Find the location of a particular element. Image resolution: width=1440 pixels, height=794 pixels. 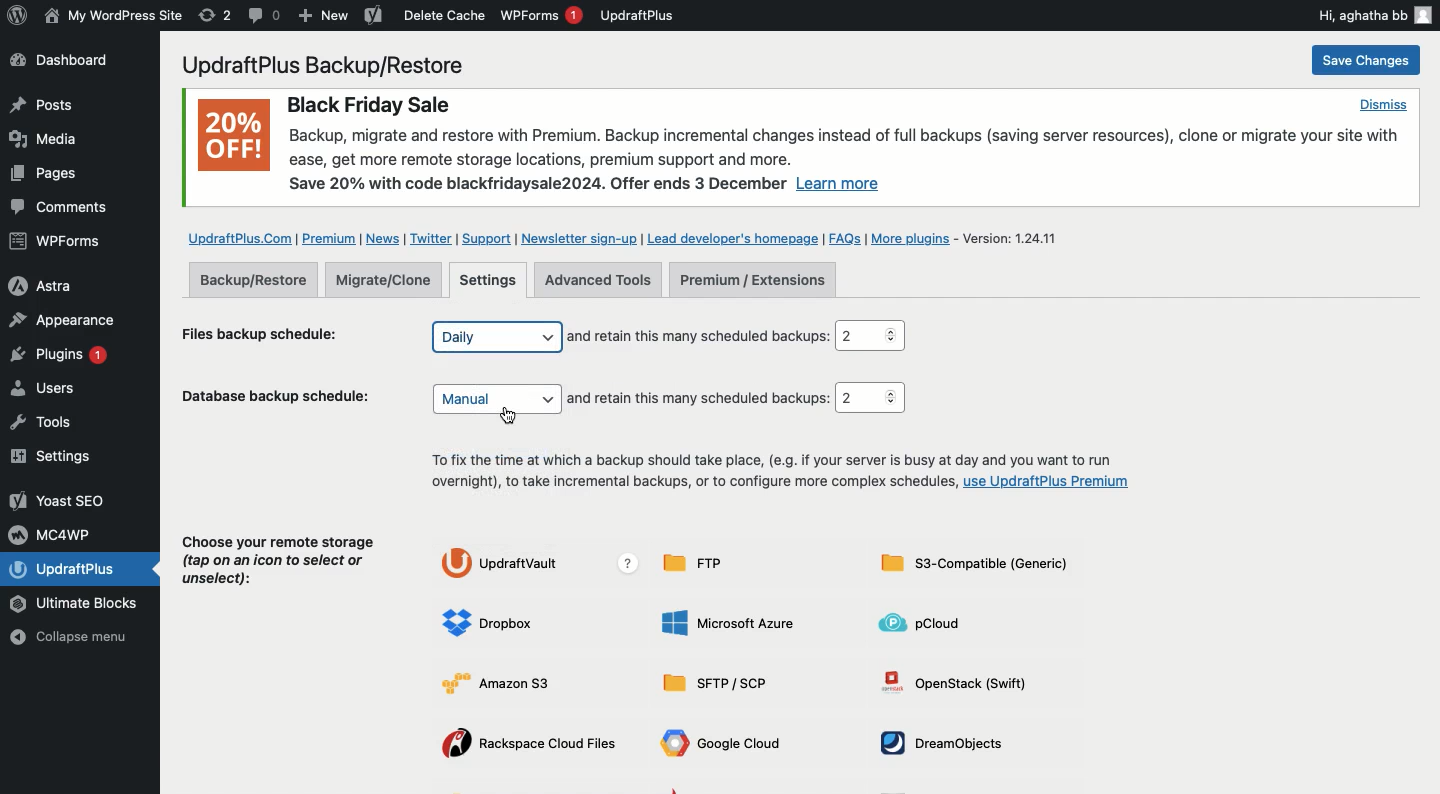

UpdraftVault is located at coordinates (544, 564).